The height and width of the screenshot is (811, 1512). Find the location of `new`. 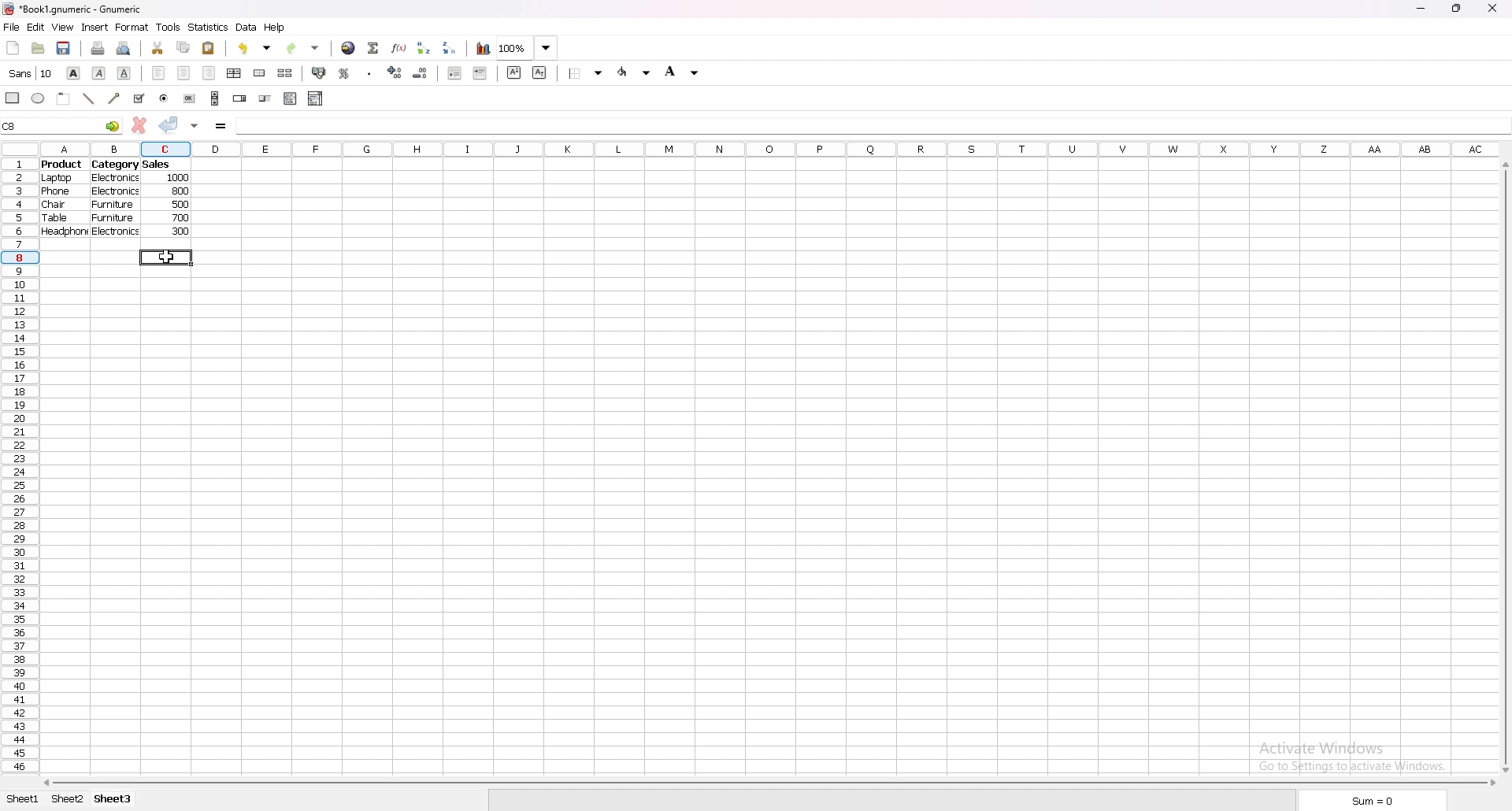

new is located at coordinates (12, 47).